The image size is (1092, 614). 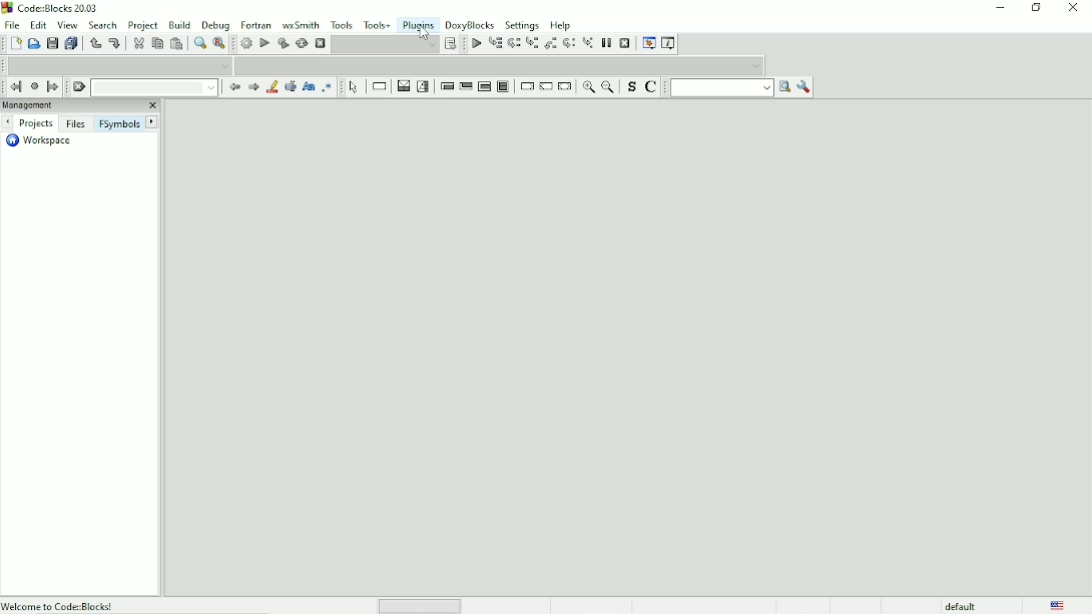 What do you see at coordinates (652, 88) in the screenshot?
I see `Toggle comments` at bounding box center [652, 88].